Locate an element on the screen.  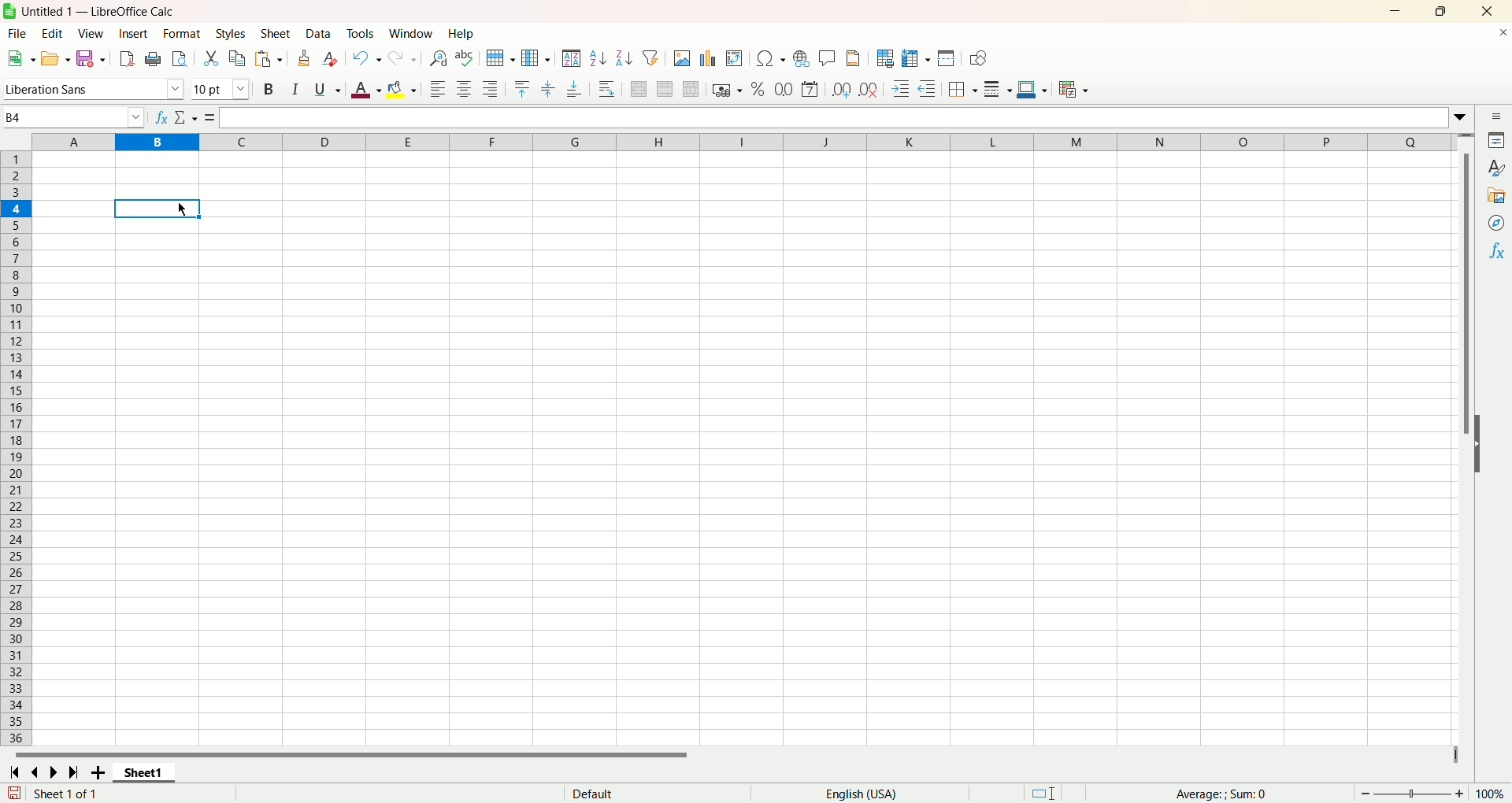
define print area is located at coordinates (886, 58).